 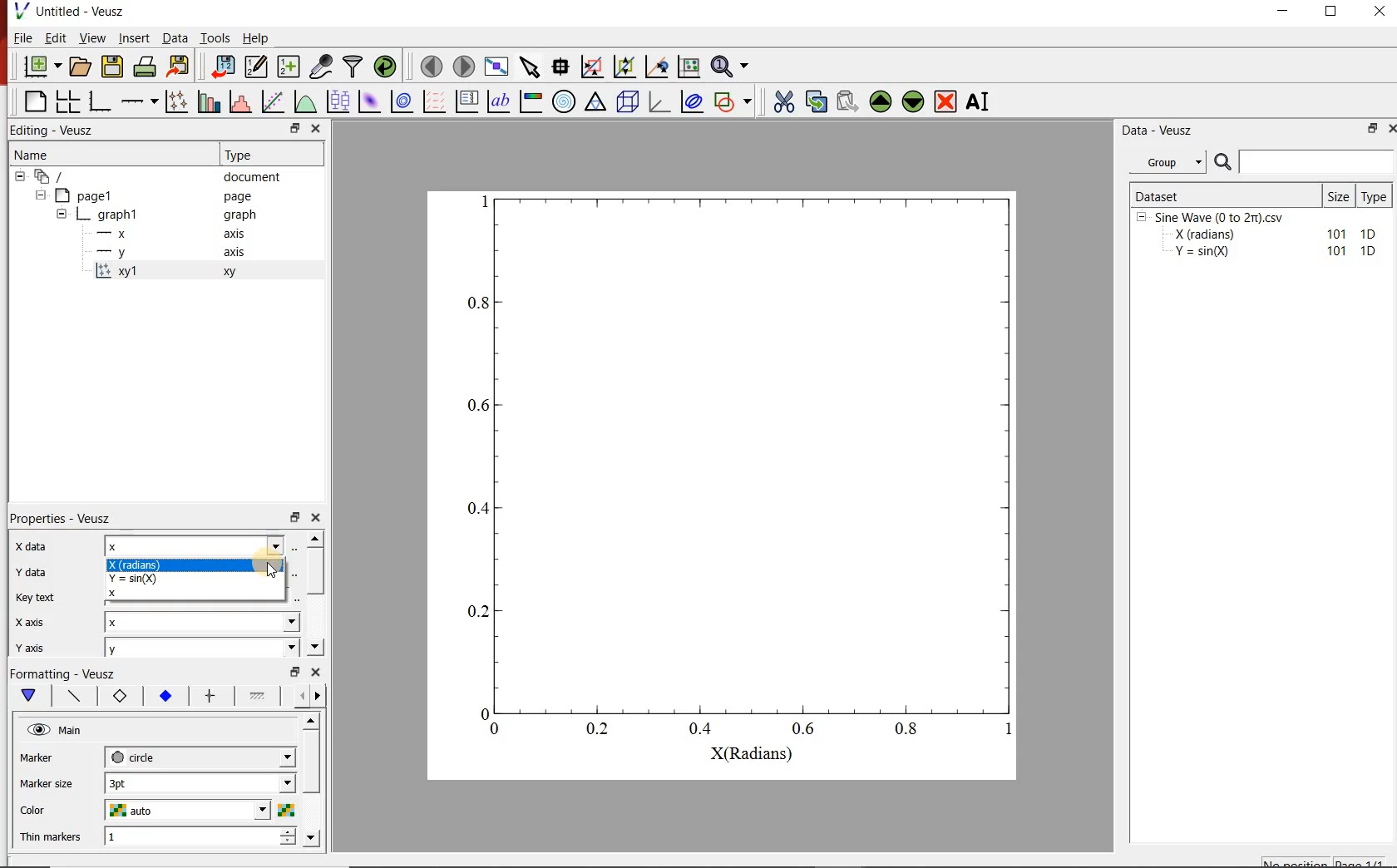 What do you see at coordinates (27, 696) in the screenshot?
I see `down arrow` at bounding box center [27, 696].